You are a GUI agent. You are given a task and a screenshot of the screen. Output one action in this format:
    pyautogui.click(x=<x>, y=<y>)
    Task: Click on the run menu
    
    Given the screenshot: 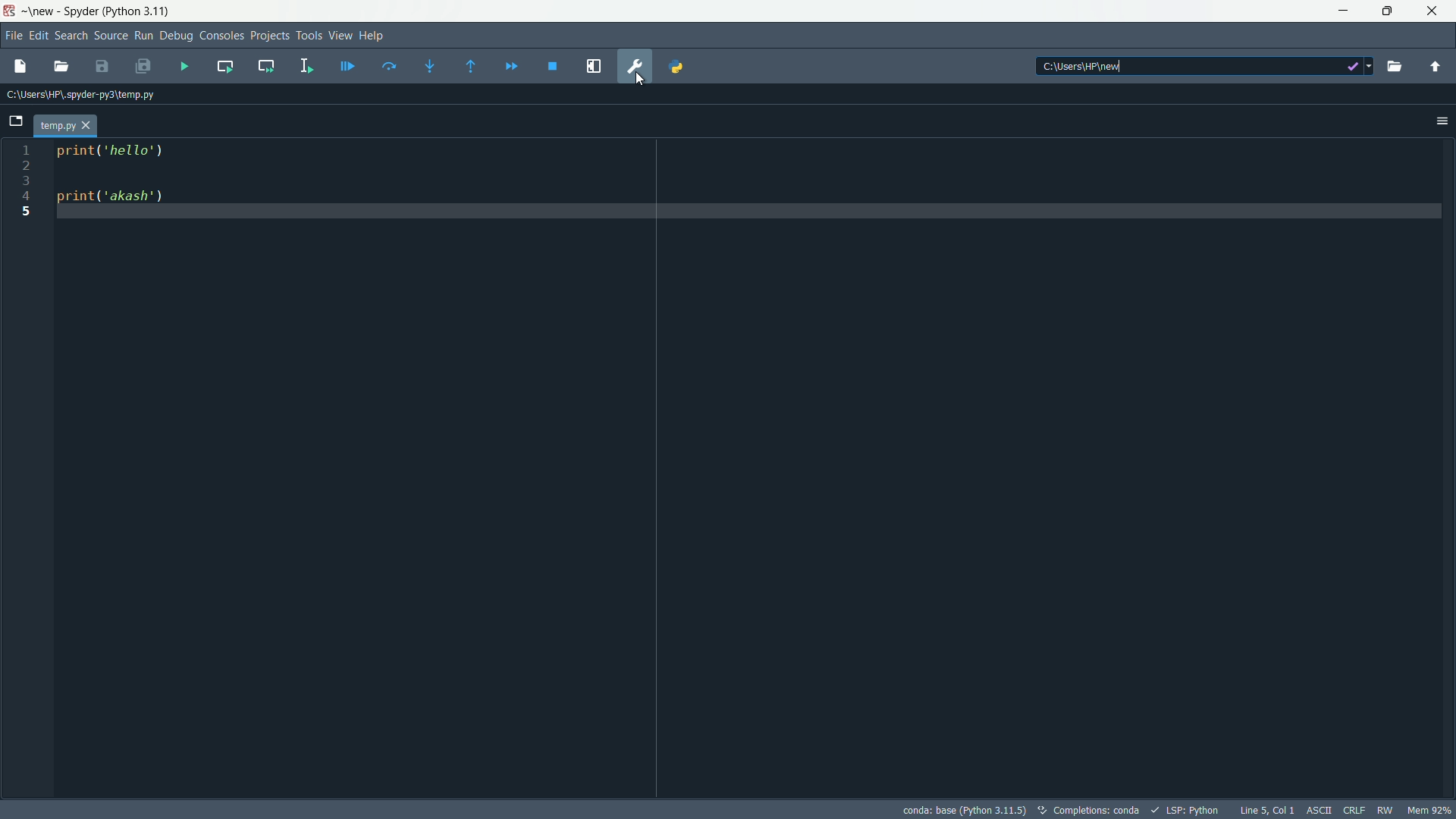 What is the action you would take?
    pyautogui.click(x=143, y=36)
    